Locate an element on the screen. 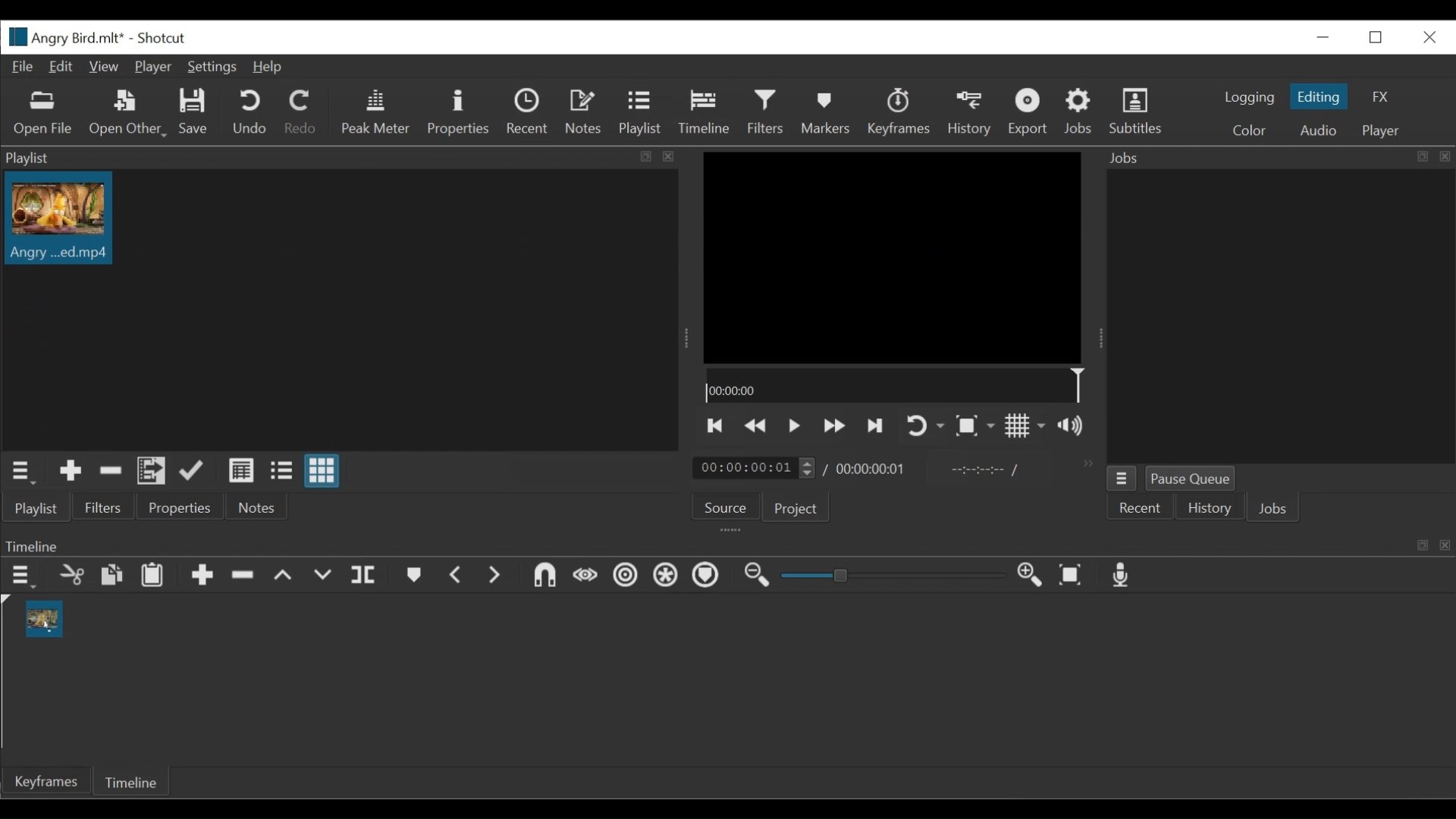 Image resolution: width=1456 pixels, height=819 pixels. Append is located at coordinates (201, 574).